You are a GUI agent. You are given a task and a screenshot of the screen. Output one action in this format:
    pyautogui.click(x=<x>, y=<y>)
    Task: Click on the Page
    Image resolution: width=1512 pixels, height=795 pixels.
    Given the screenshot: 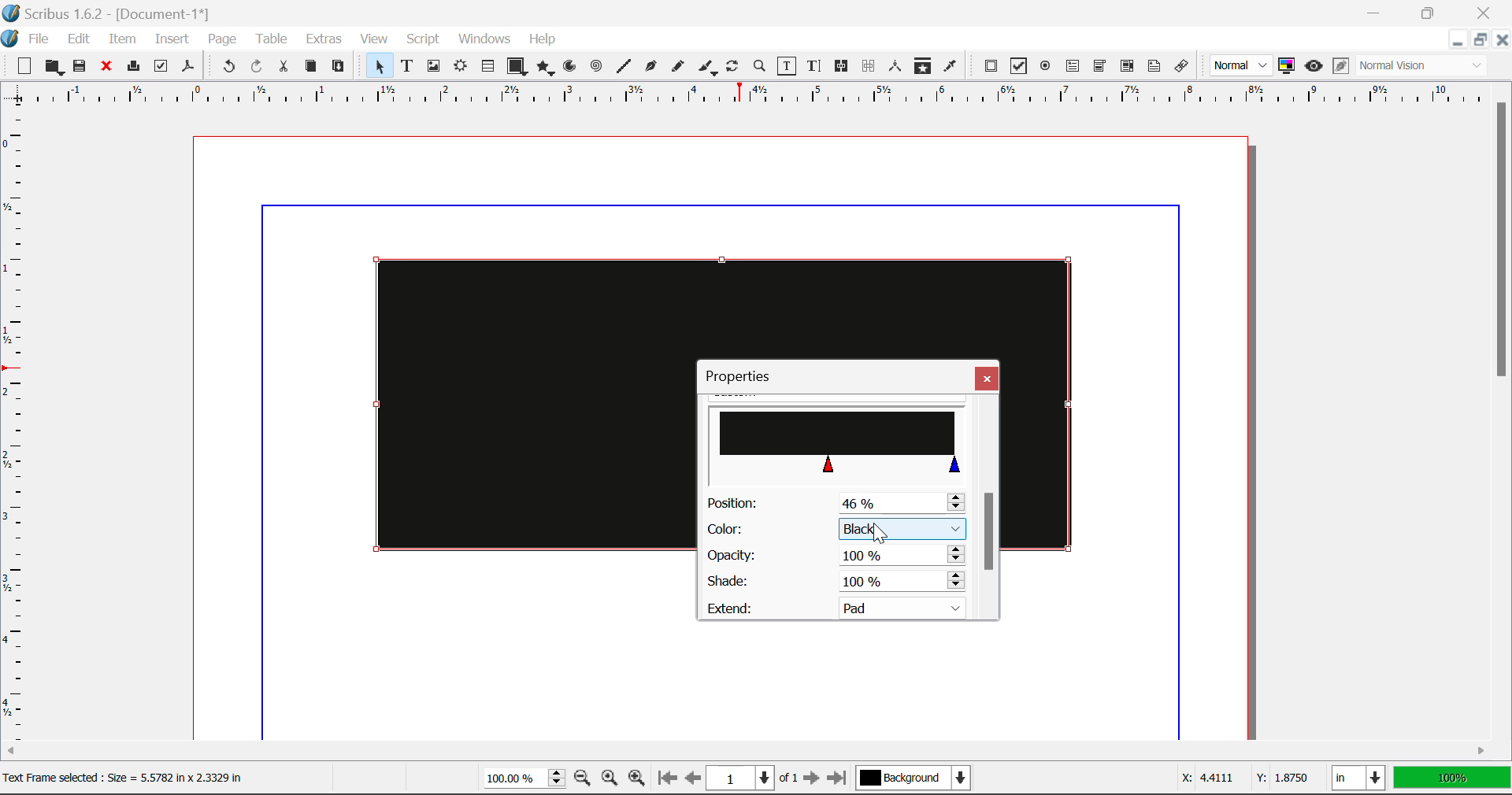 What is the action you would take?
    pyautogui.click(x=221, y=40)
    